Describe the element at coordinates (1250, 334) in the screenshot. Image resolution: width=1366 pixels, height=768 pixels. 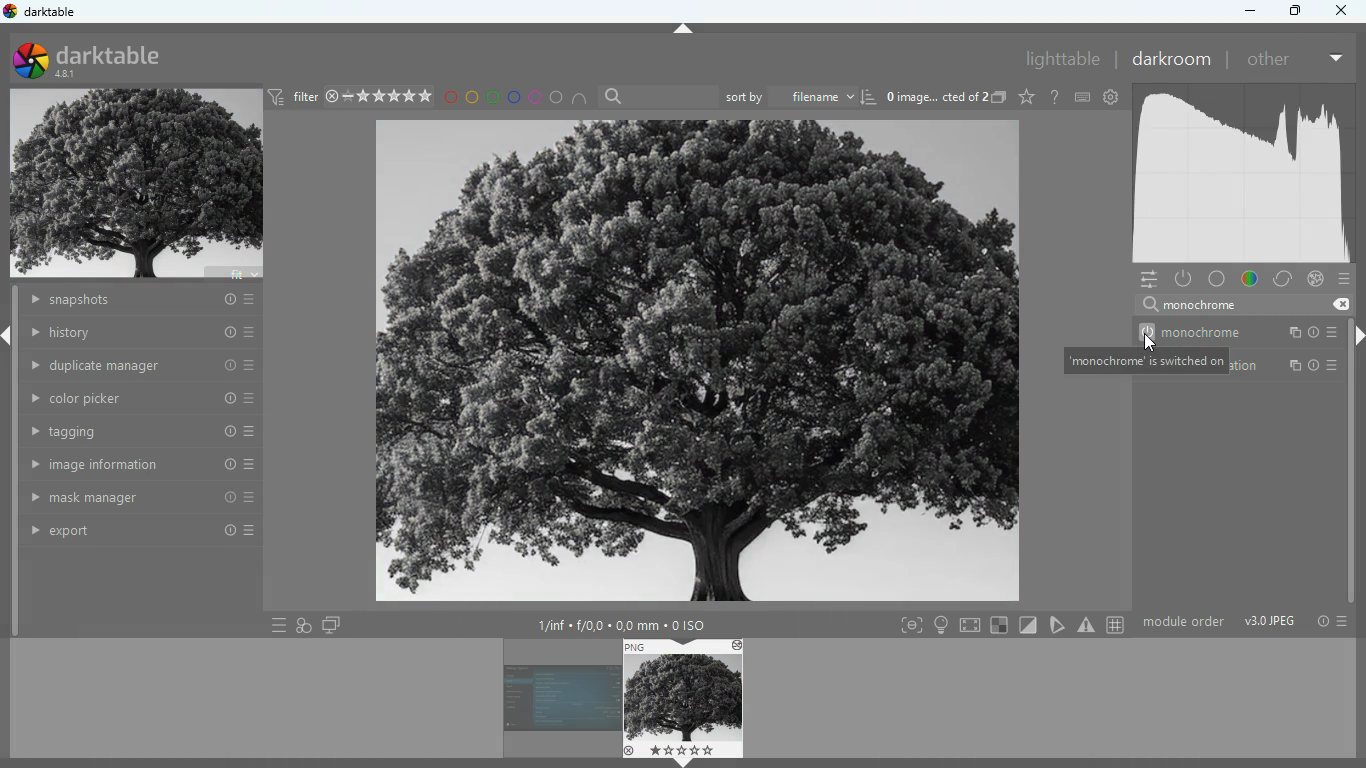
I see `monochorme` at that location.